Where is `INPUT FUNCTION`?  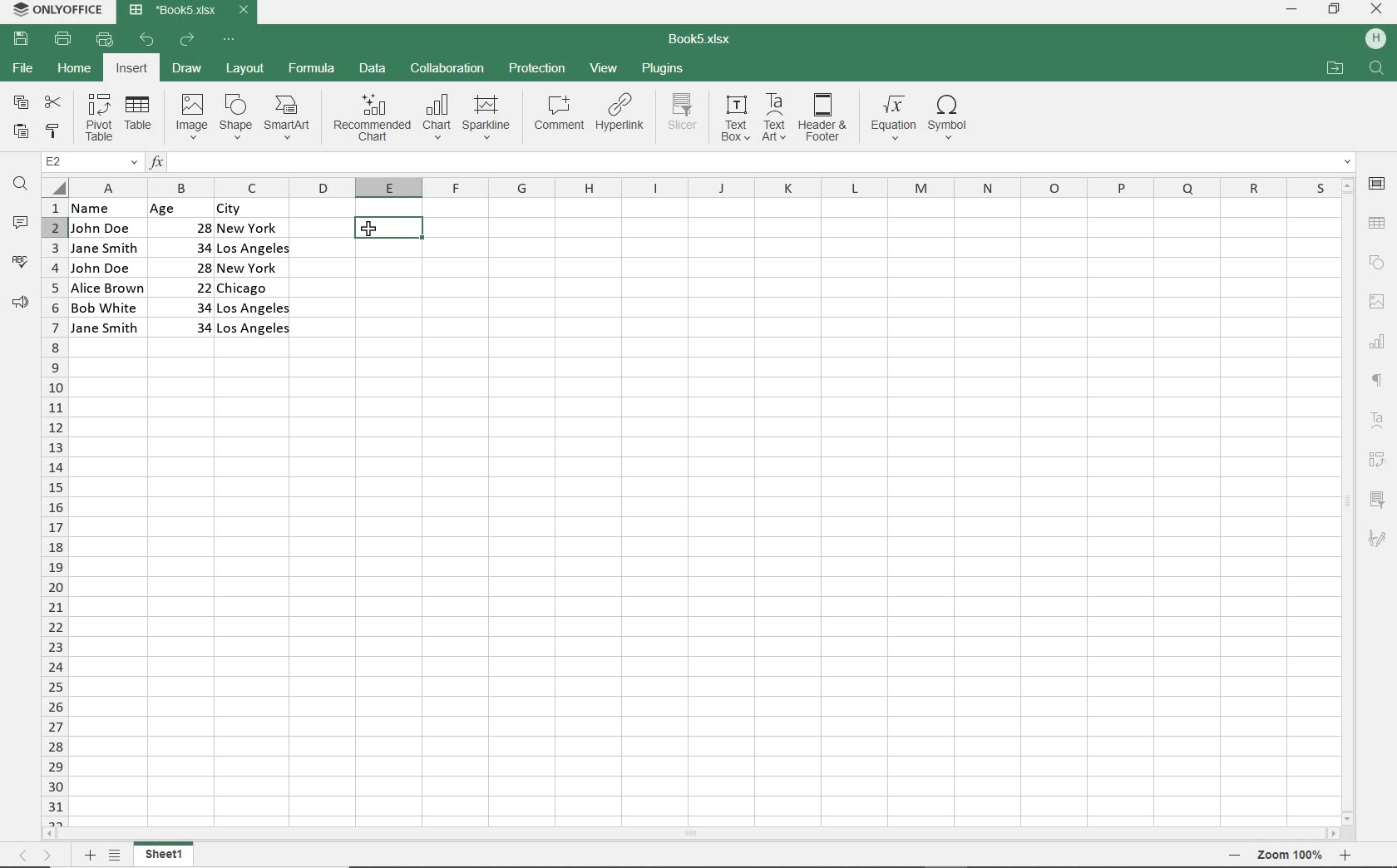 INPUT FUNCTION is located at coordinates (751, 160).